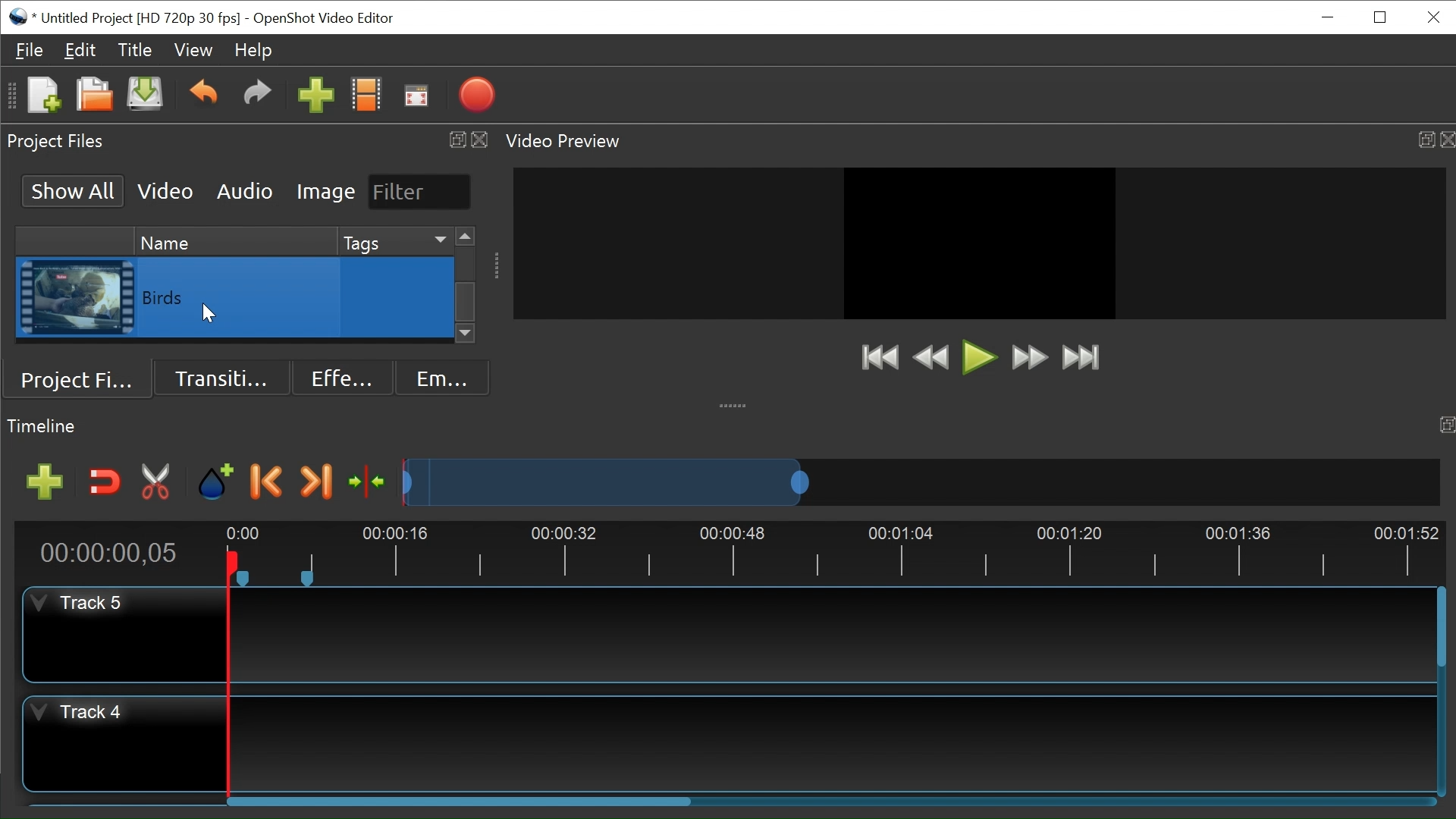 Image resolution: width=1456 pixels, height=819 pixels. What do you see at coordinates (146, 96) in the screenshot?
I see `Save Project` at bounding box center [146, 96].